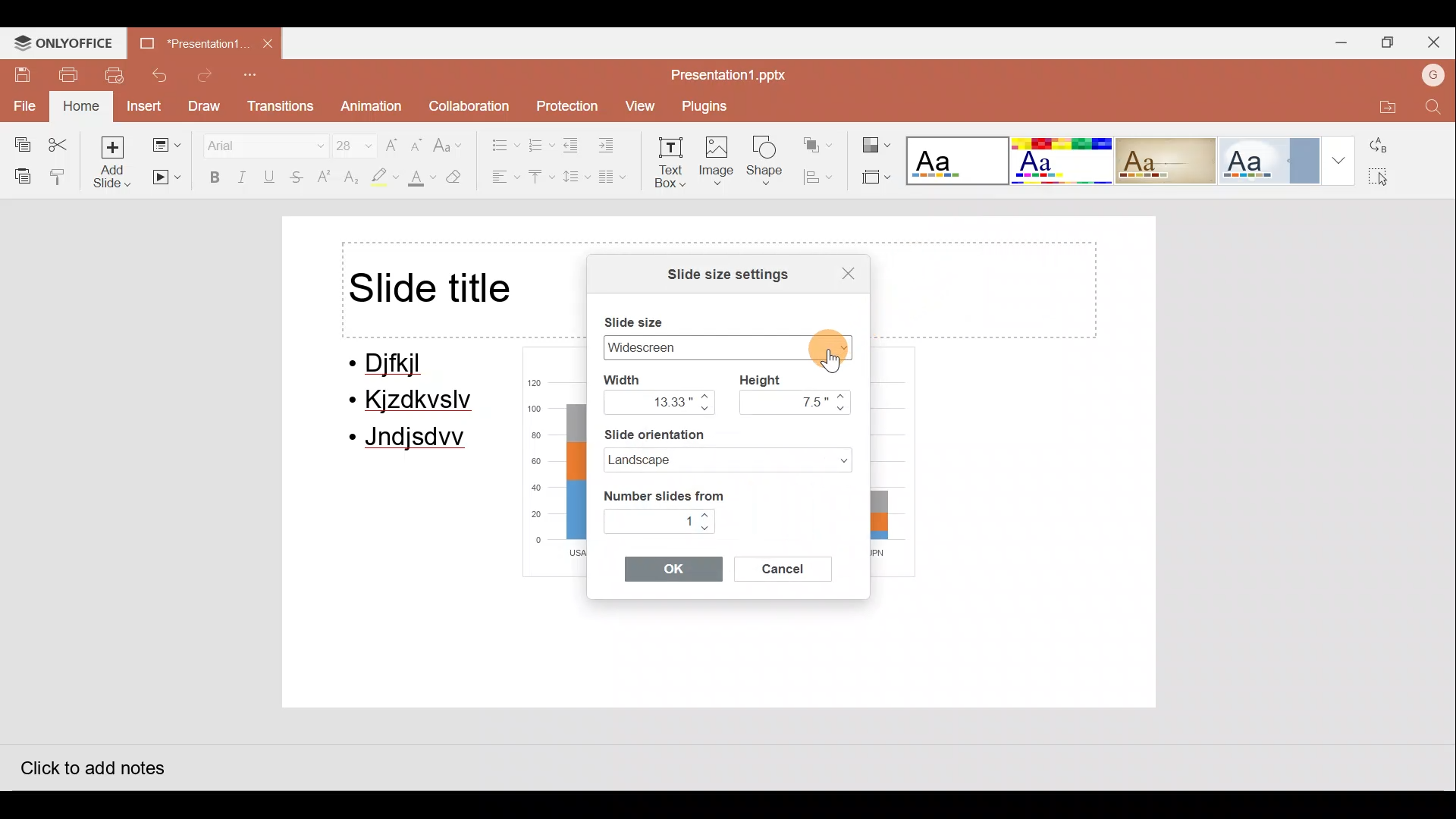 This screenshot has width=1456, height=819. What do you see at coordinates (692, 460) in the screenshot?
I see `Landscape` at bounding box center [692, 460].